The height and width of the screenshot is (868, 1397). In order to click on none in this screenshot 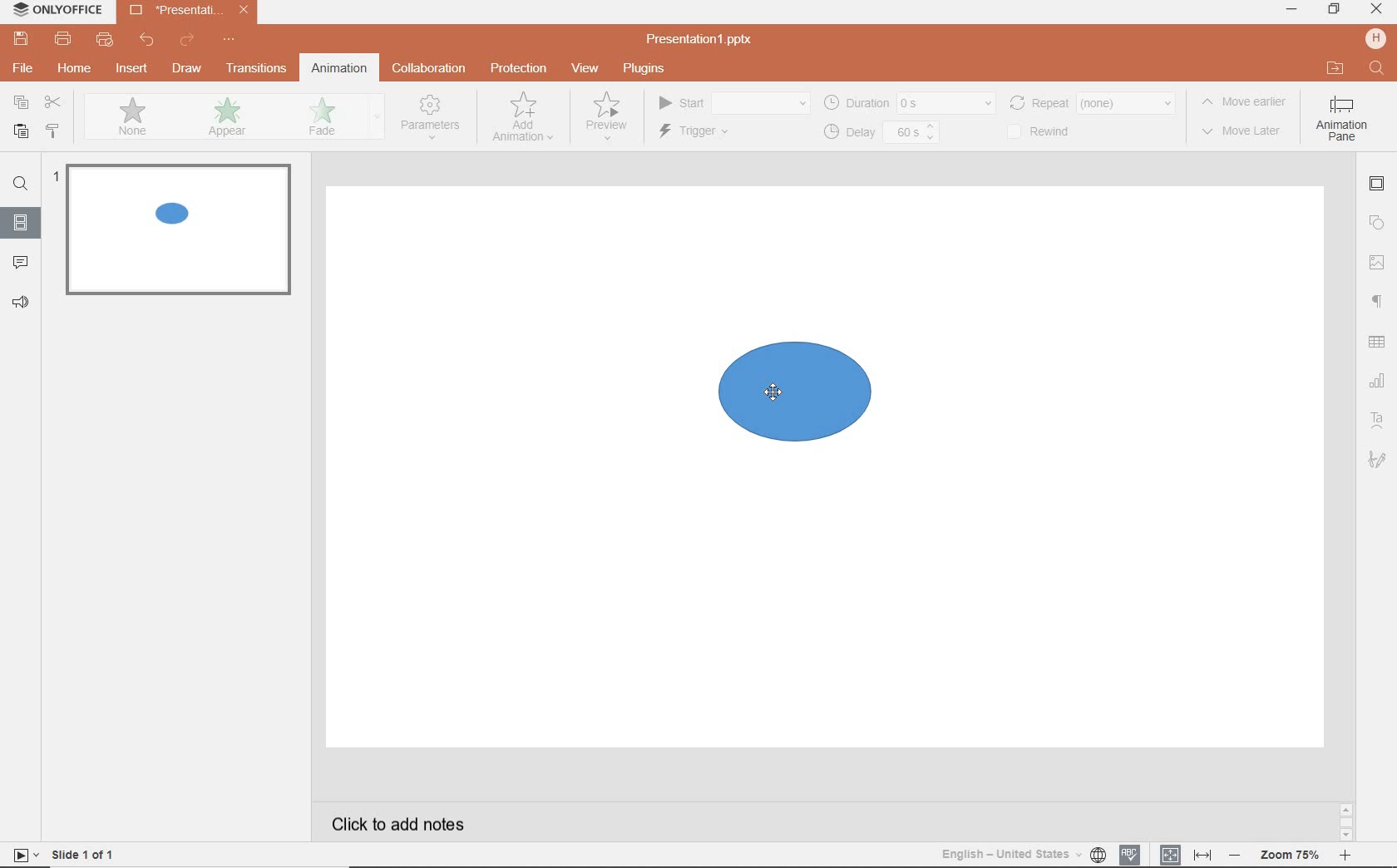, I will do `click(136, 120)`.